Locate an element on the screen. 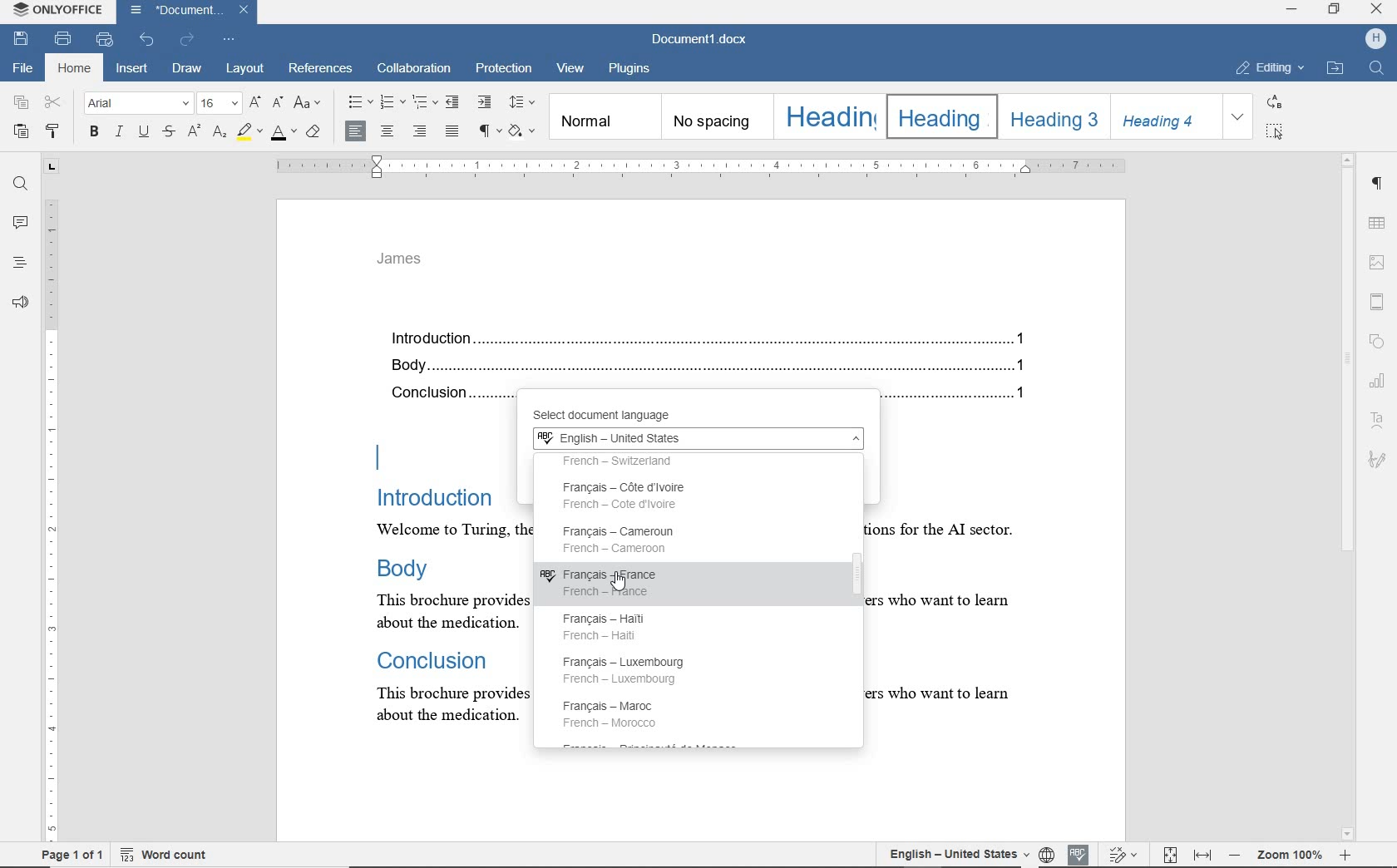 The width and height of the screenshot is (1397, 868). normal is located at coordinates (604, 116).